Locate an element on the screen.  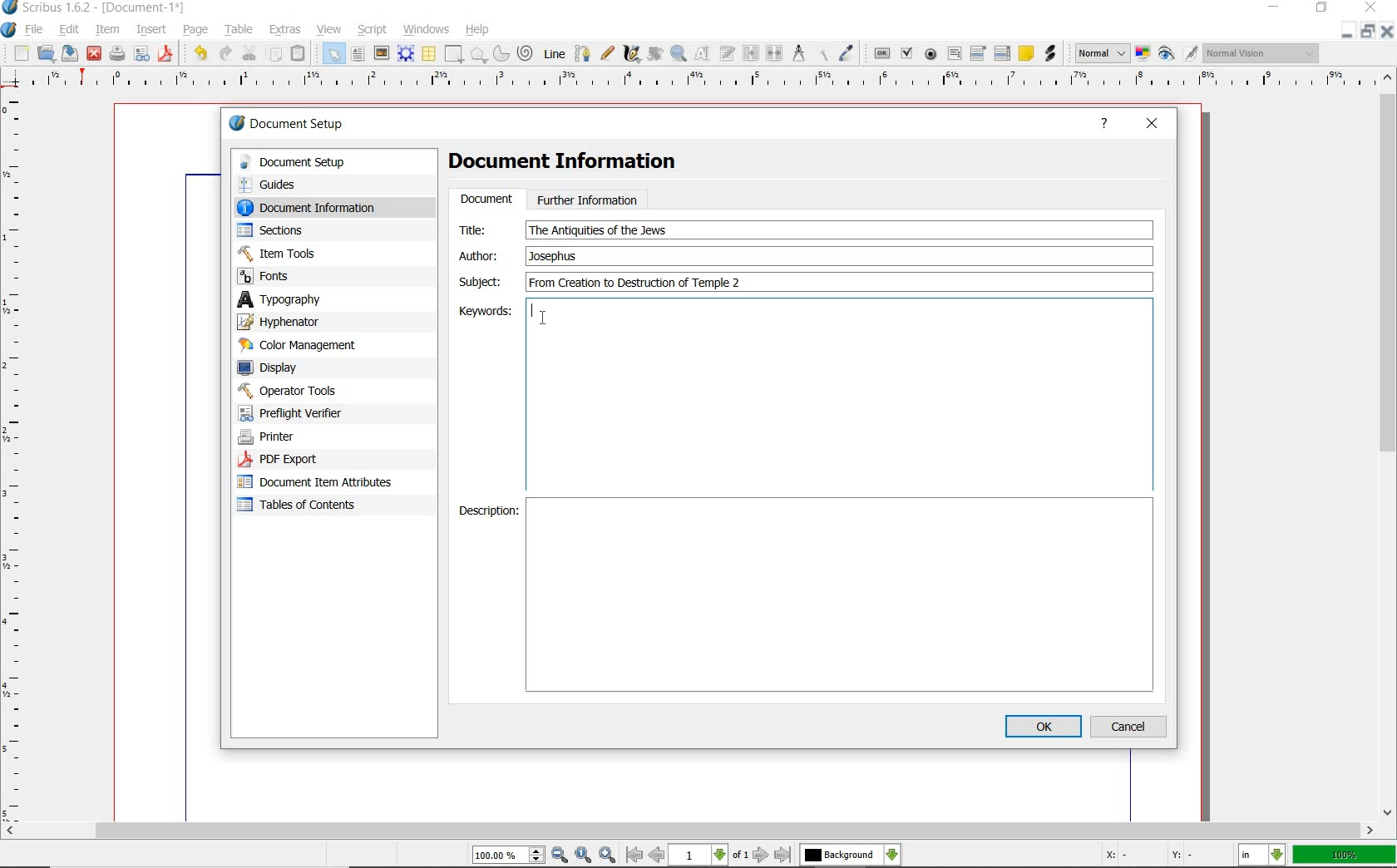
file is located at coordinates (35, 28).